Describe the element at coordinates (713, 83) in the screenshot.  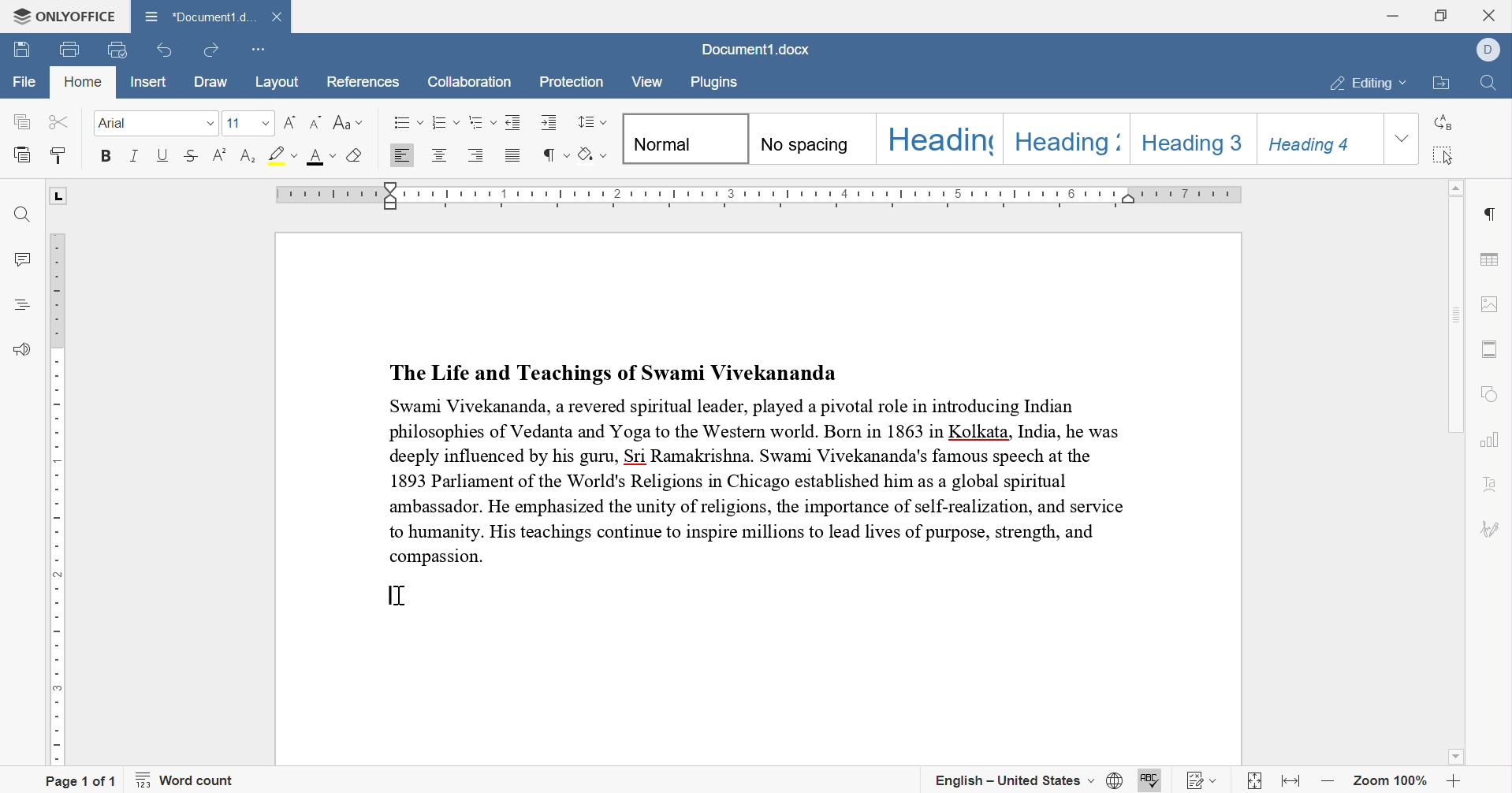
I see `plugins` at that location.